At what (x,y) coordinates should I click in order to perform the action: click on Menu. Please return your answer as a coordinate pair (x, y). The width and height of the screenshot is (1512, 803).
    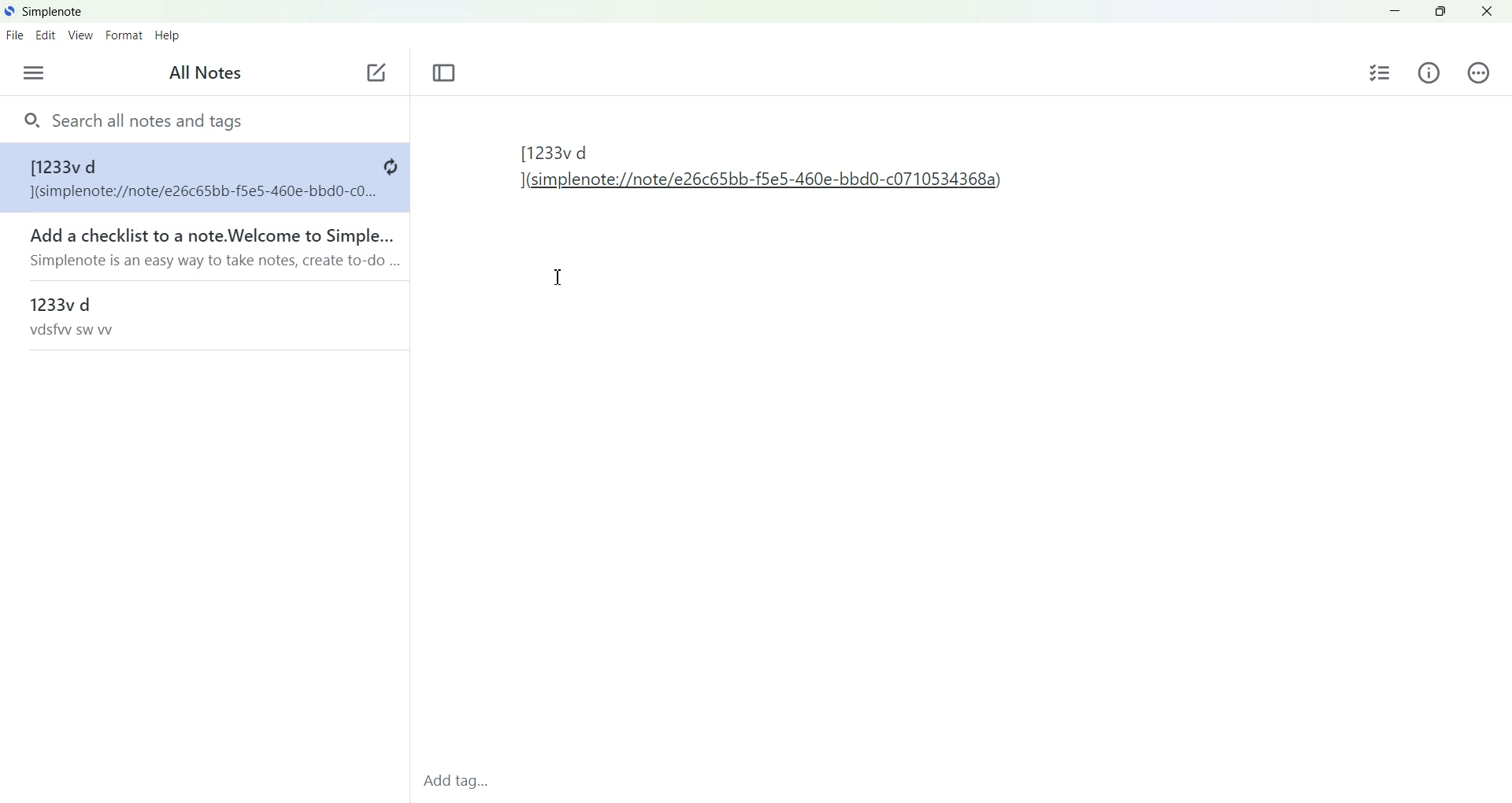
    Looking at the image, I should click on (33, 73).